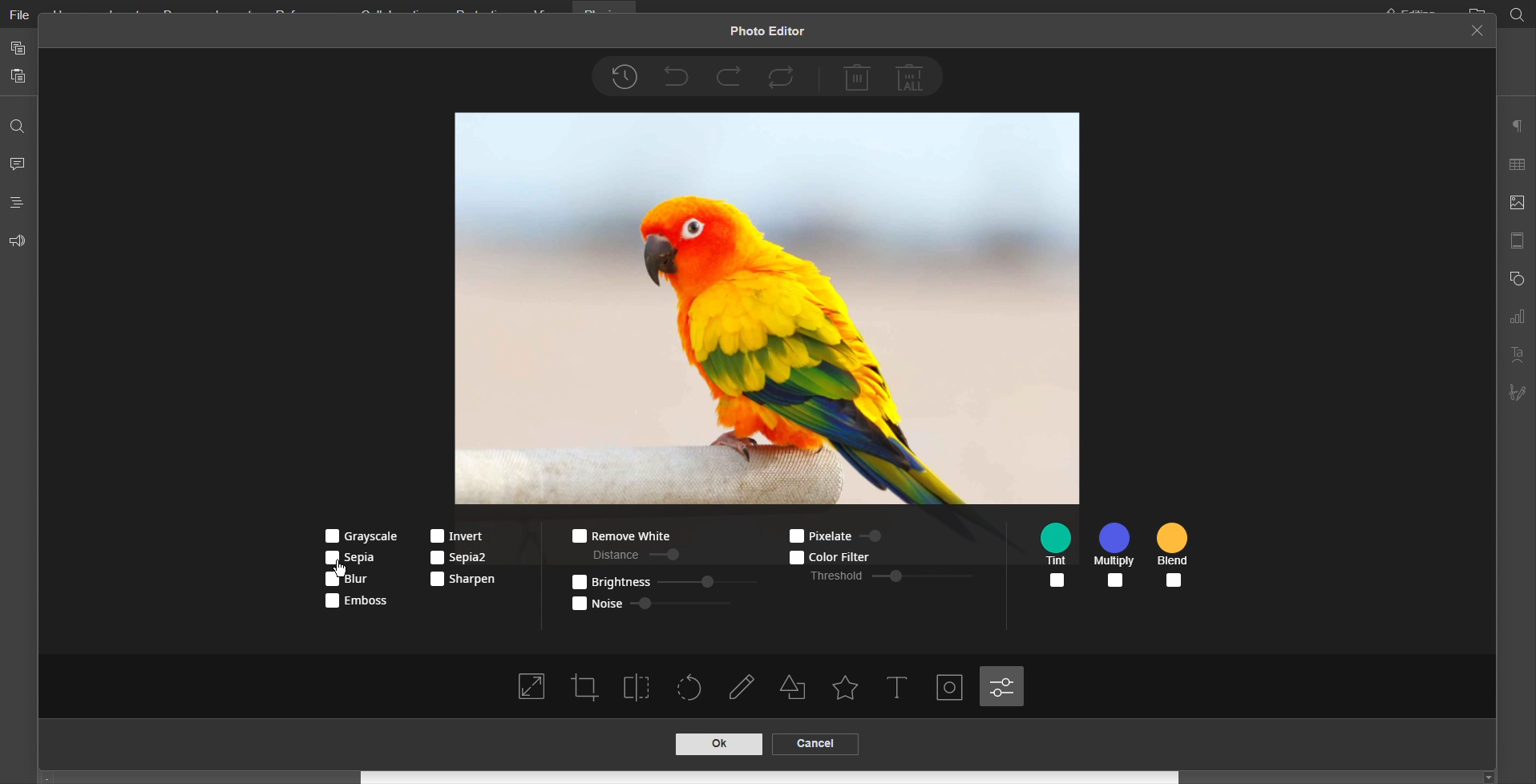 The width and height of the screenshot is (1536, 784). What do you see at coordinates (857, 77) in the screenshot?
I see `Delete` at bounding box center [857, 77].